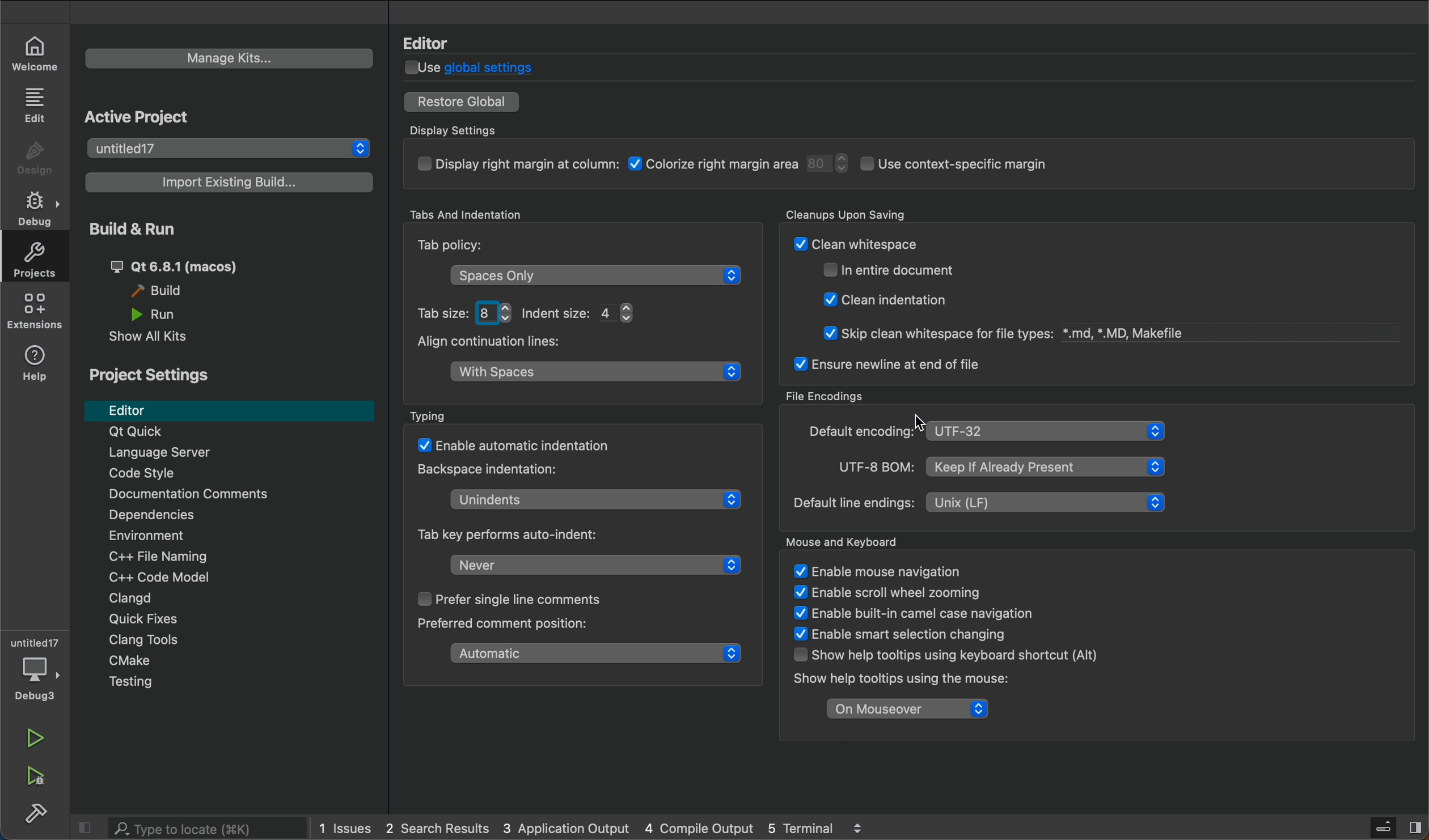 Image resolution: width=1429 pixels, height=840 pixels. What do you see at coordinates (218, 554) in the screenshot?
I see `file naming` at bounding box center [218, 554].